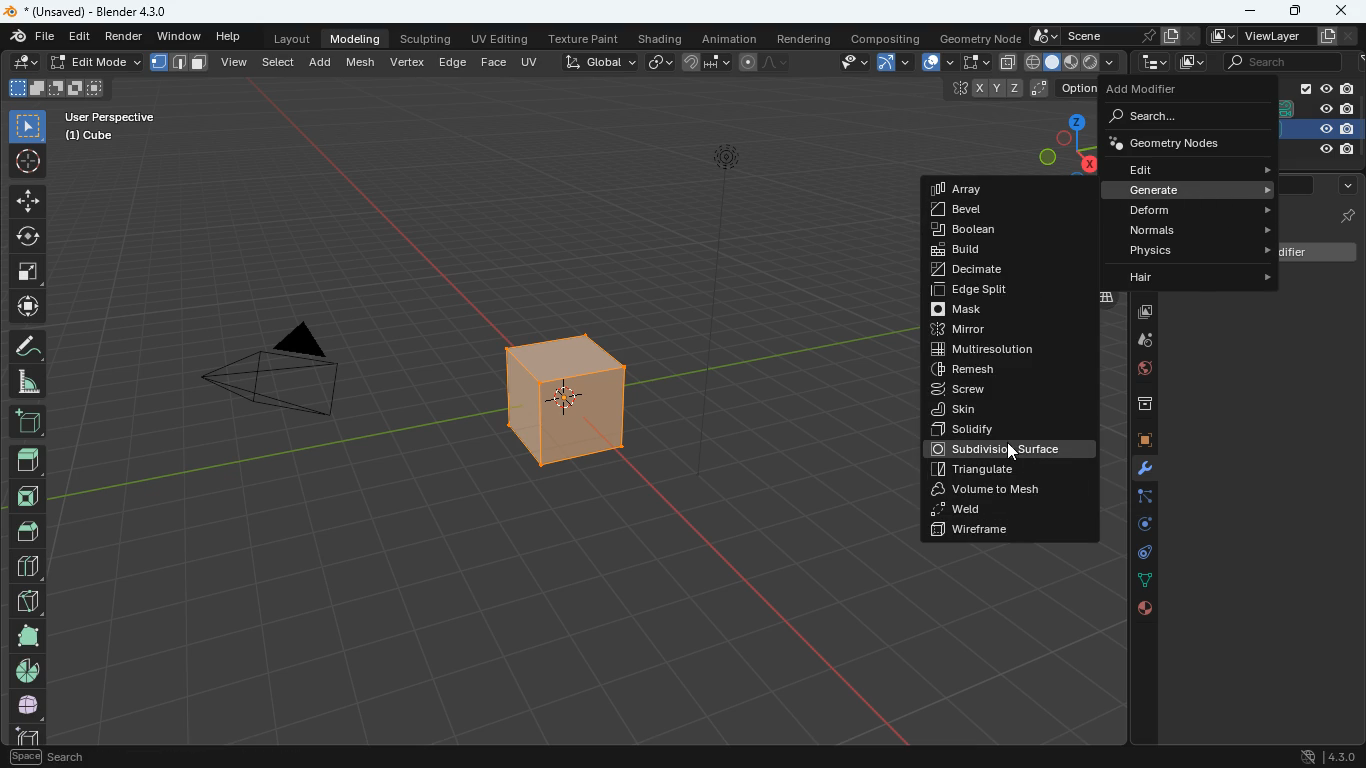 This screenshot has height=768, width=1366. What do you see at coordinates (1073, 61) in the screenshot?
I see `shape` at bounding box center [1073, 61].